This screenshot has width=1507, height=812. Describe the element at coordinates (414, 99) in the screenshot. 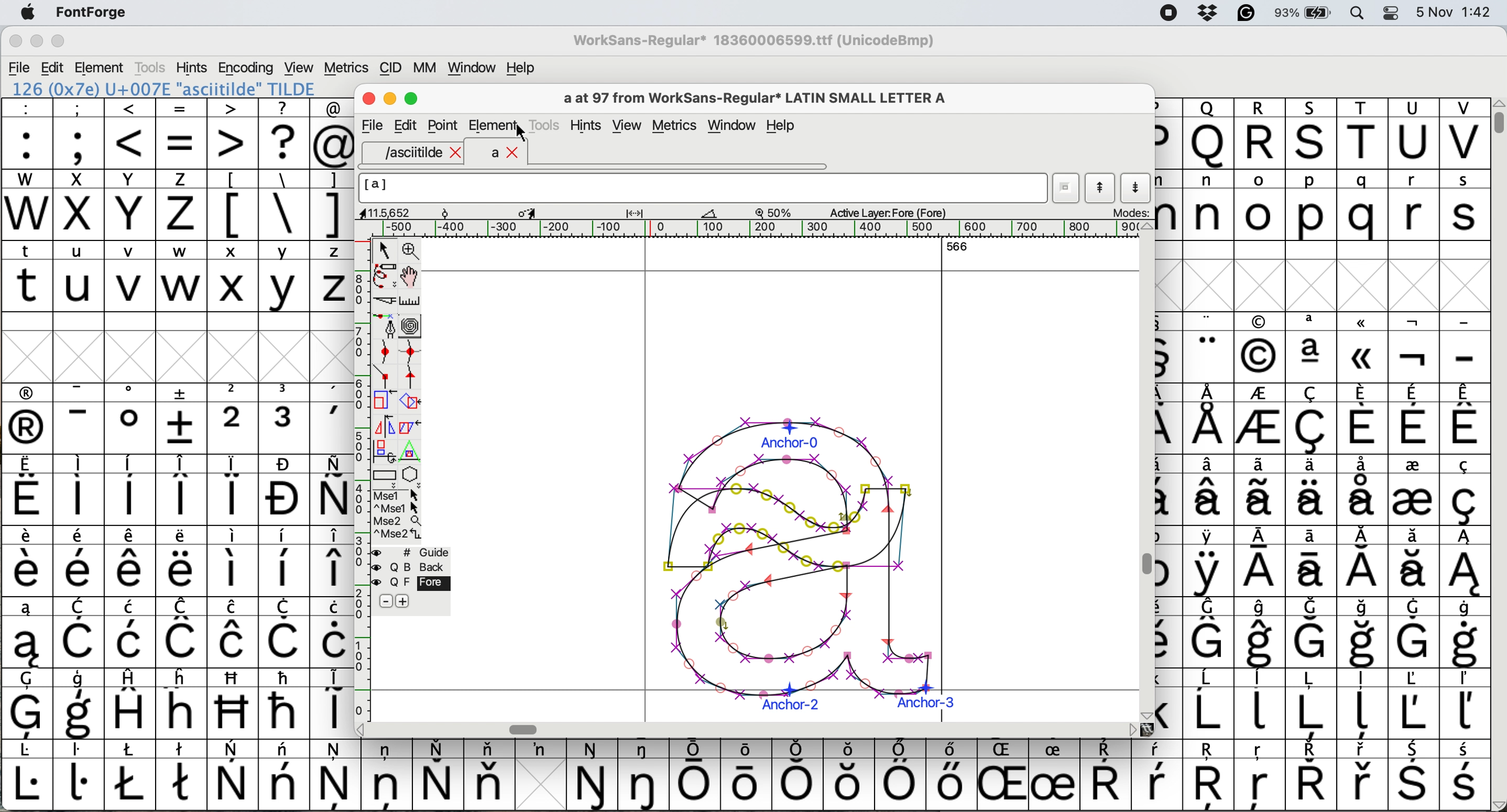

I see `Maximise` at that location.